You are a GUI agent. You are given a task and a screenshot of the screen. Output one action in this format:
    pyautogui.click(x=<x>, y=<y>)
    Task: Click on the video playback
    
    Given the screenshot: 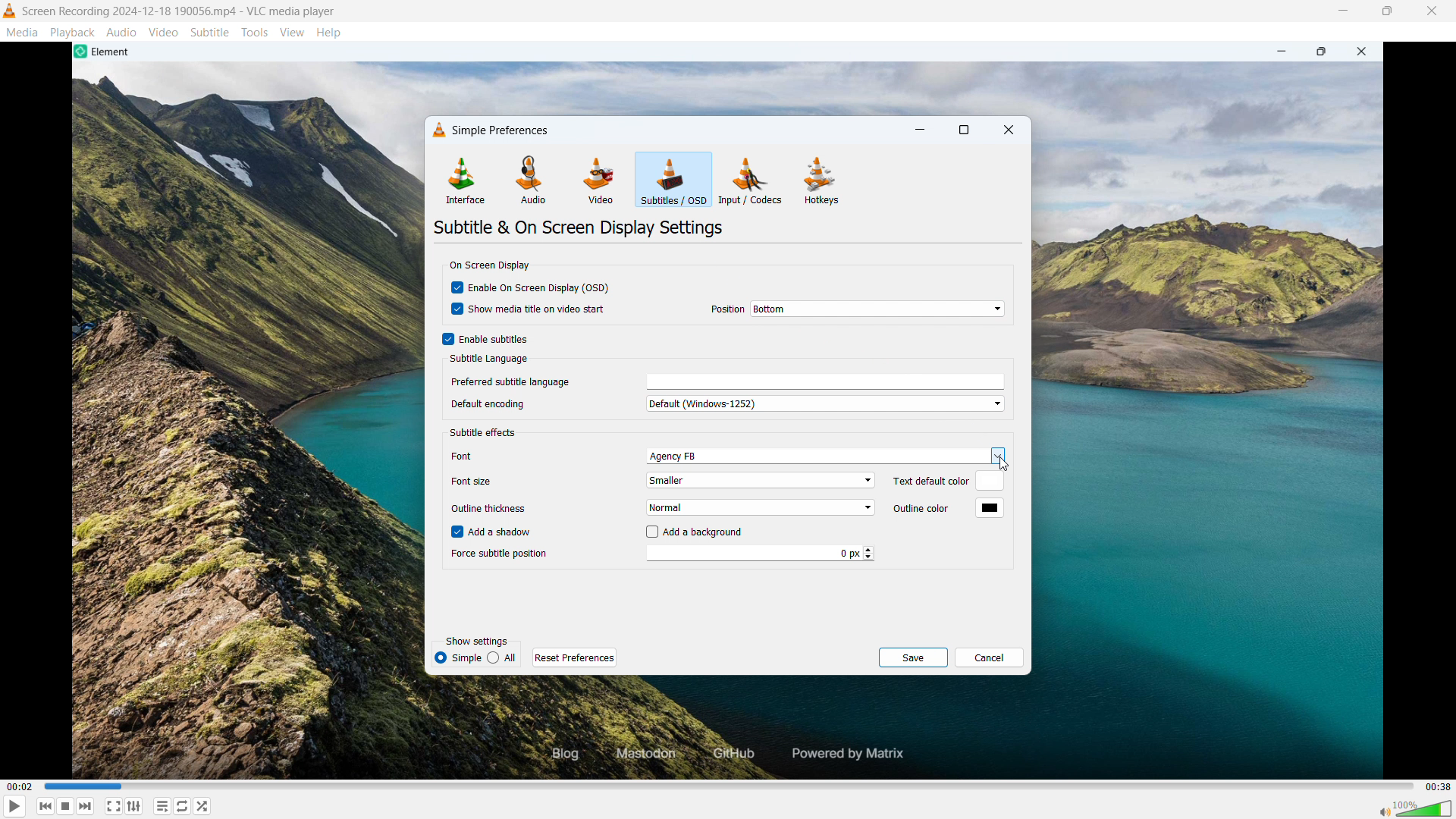 What is the action you would take?
    pyautogui.click(x=736, y=728)
    